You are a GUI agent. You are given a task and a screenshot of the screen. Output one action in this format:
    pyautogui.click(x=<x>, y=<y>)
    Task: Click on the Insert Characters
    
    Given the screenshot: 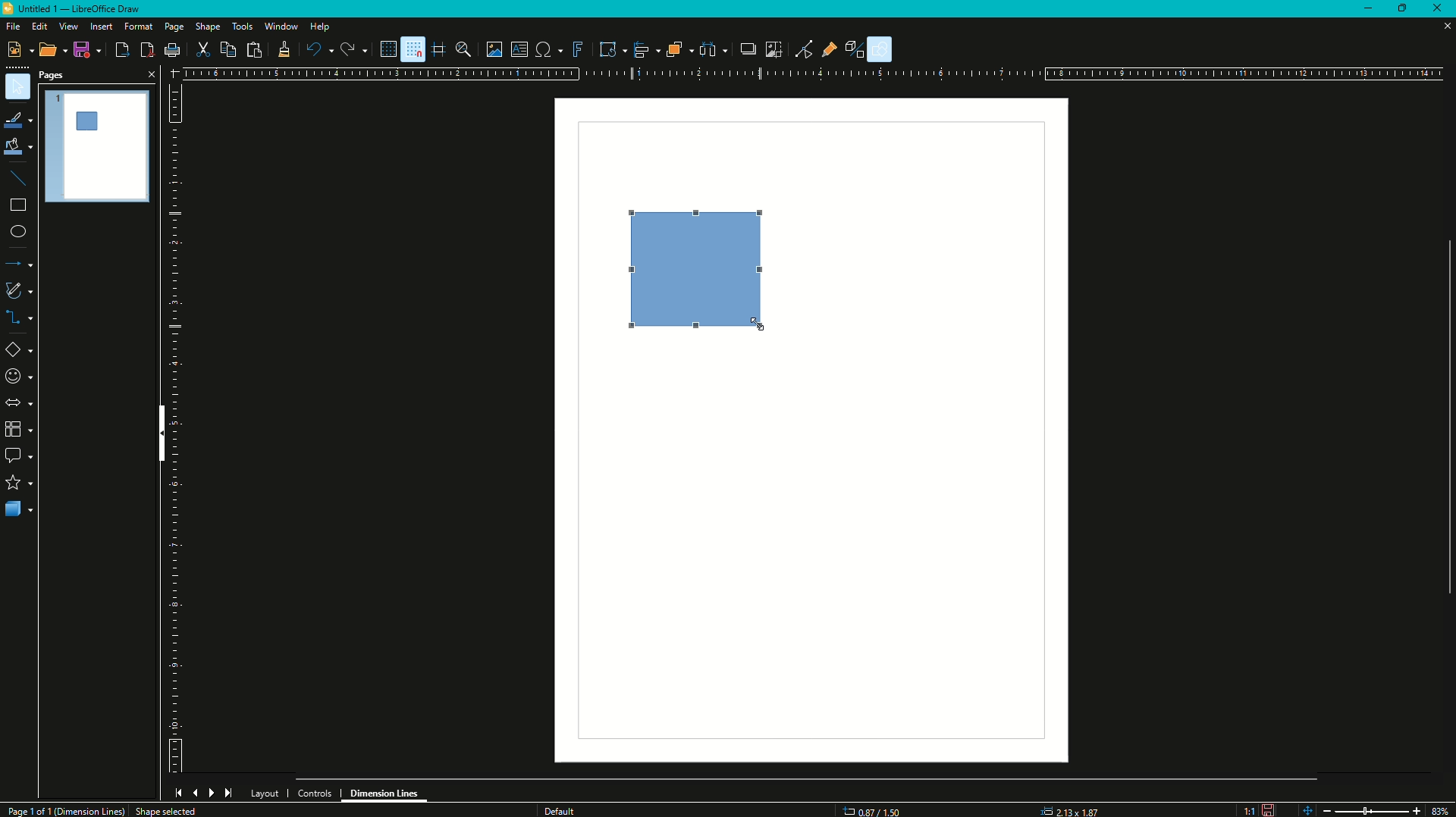 What is the action you would take?
    pyautogui.click(x=17, y=377)
    